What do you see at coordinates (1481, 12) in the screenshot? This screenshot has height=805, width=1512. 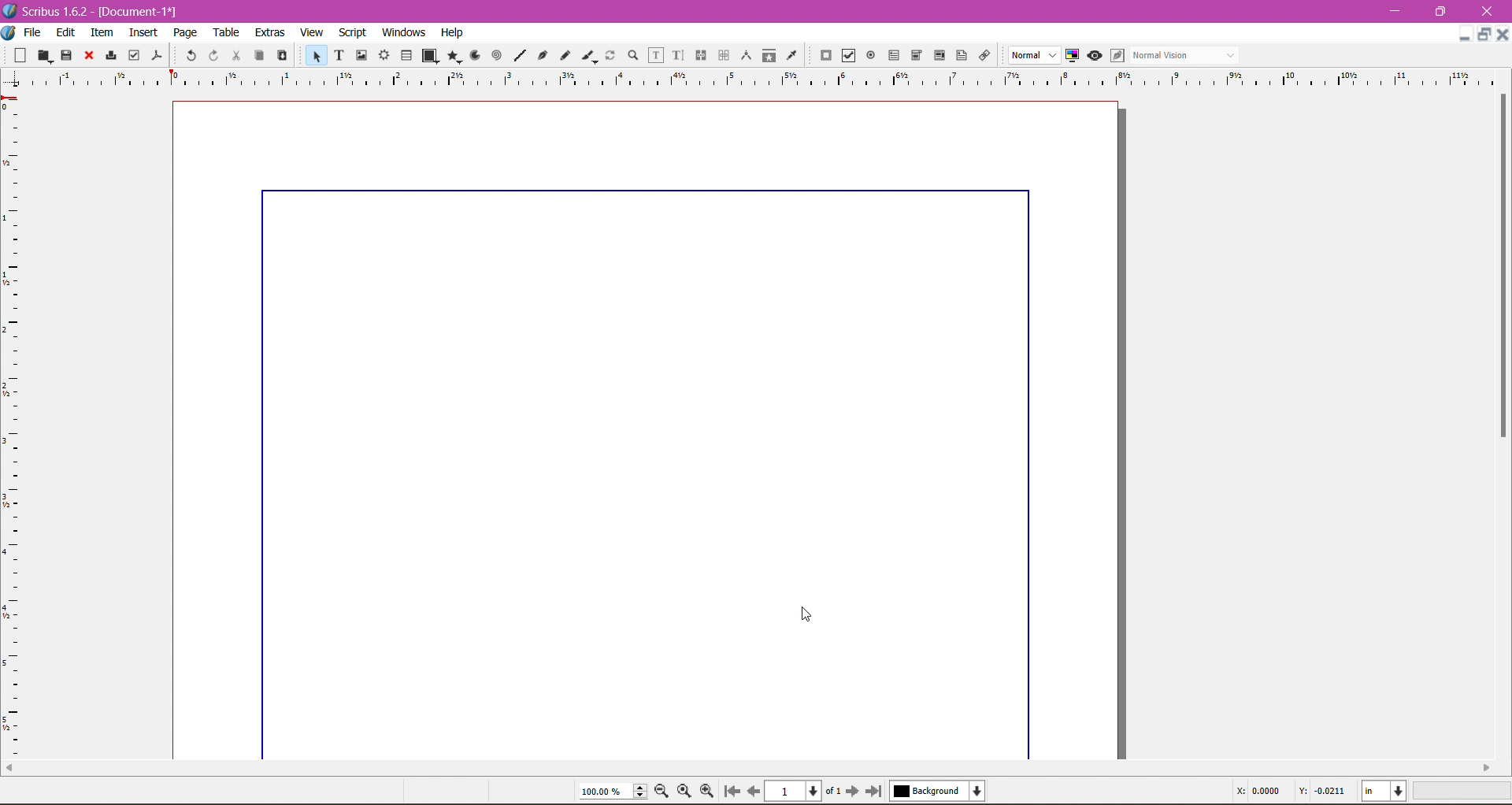 I see `Close` at bounding box center [1481, 12].